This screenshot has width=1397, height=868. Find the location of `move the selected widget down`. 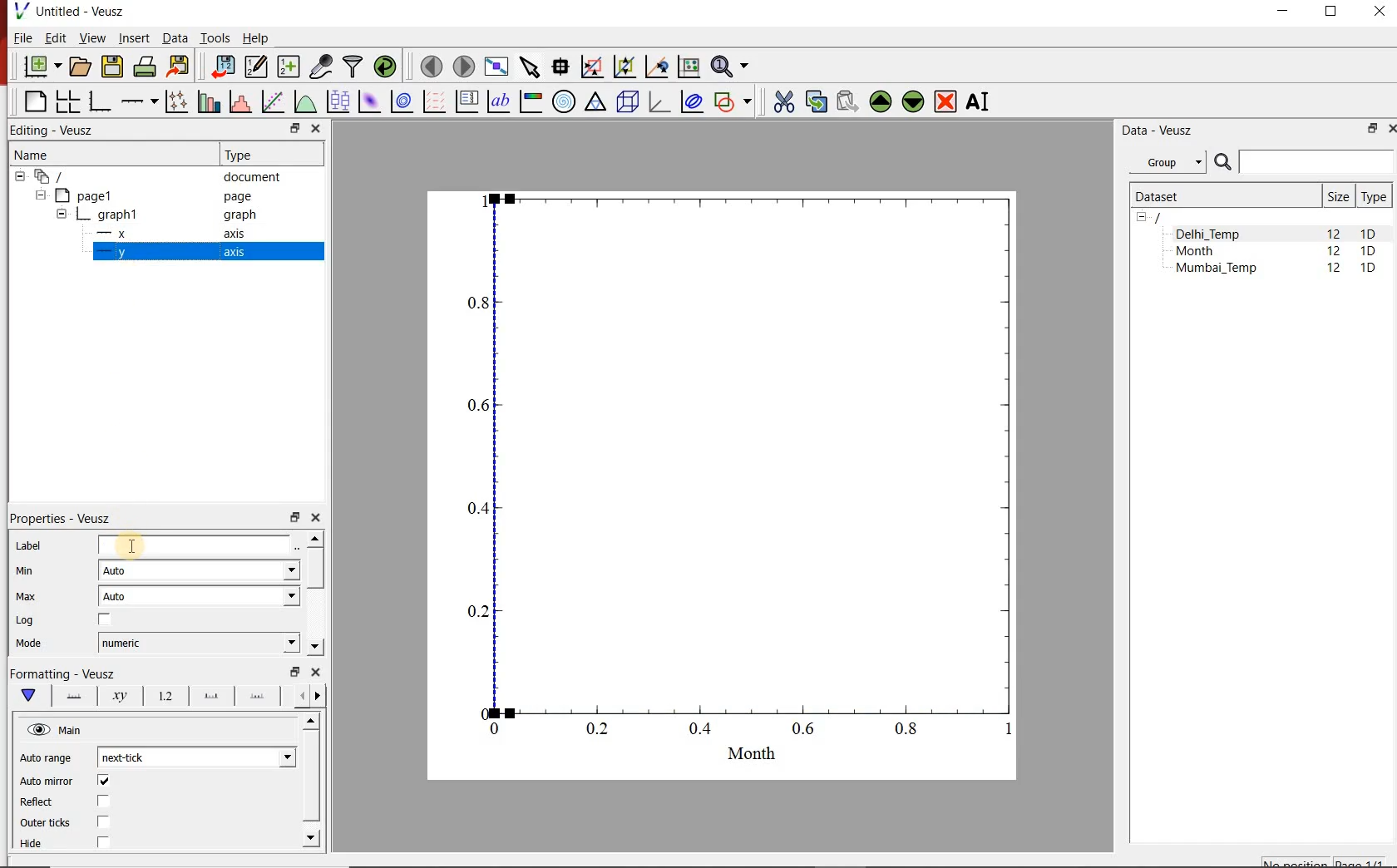

move the selected widget down is located at coordinates (913, 102).